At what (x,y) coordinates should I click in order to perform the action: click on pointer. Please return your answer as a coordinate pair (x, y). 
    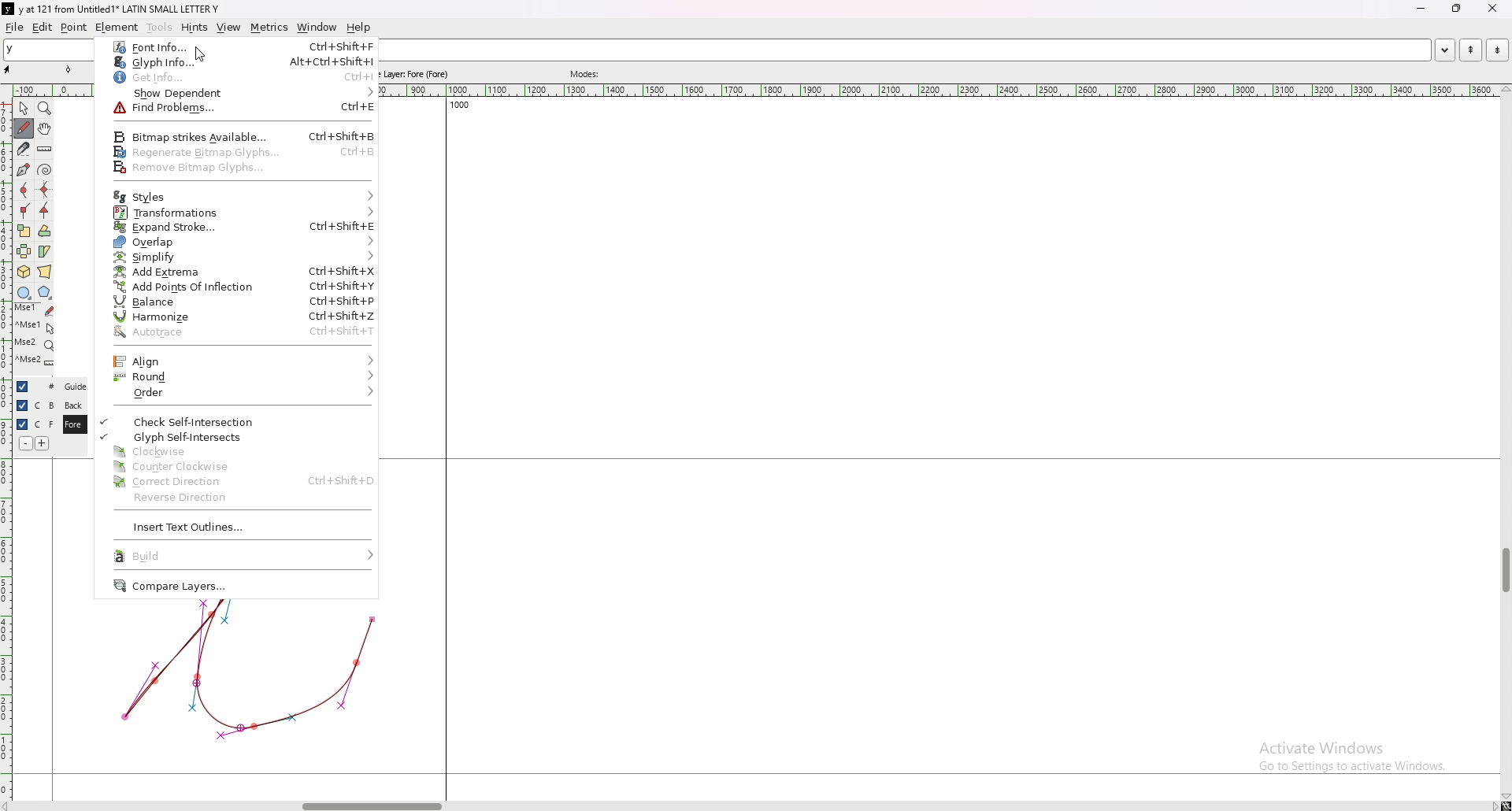
    Looking at the image, I should click on (24, 109).